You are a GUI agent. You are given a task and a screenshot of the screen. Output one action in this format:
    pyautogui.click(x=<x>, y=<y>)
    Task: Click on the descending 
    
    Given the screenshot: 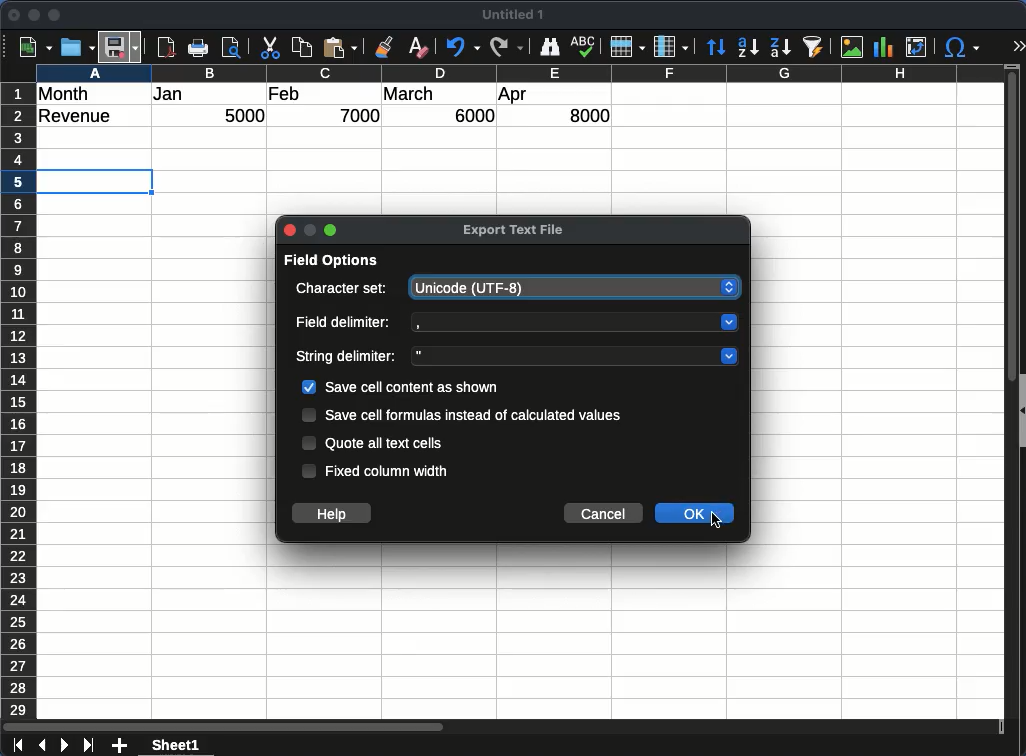 What is the action you would take?
    pyautogui.click(x=779, y=46)
    